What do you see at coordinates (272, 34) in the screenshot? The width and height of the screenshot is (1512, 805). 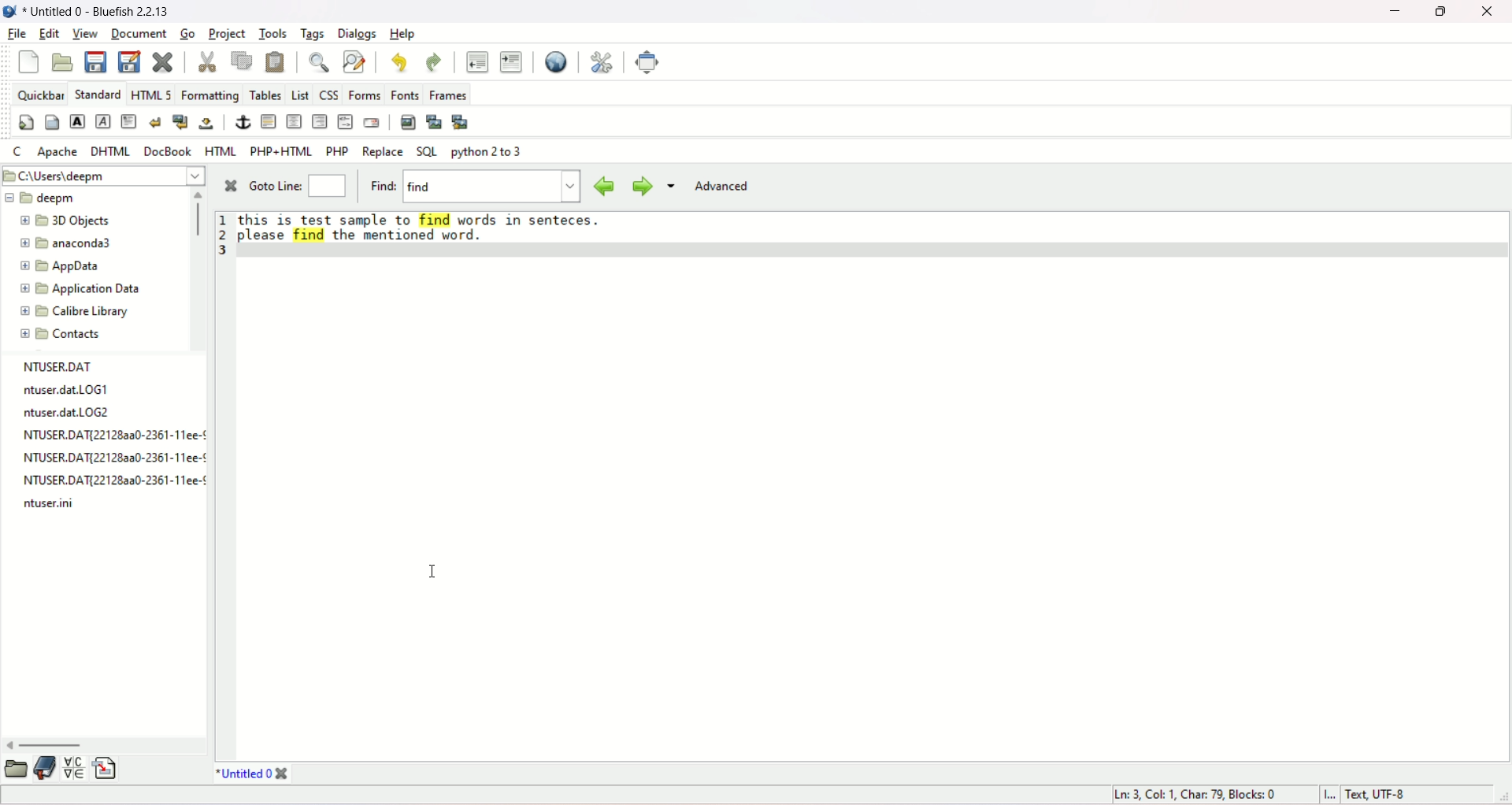 I see `tools` at bounding box center [272, 34].